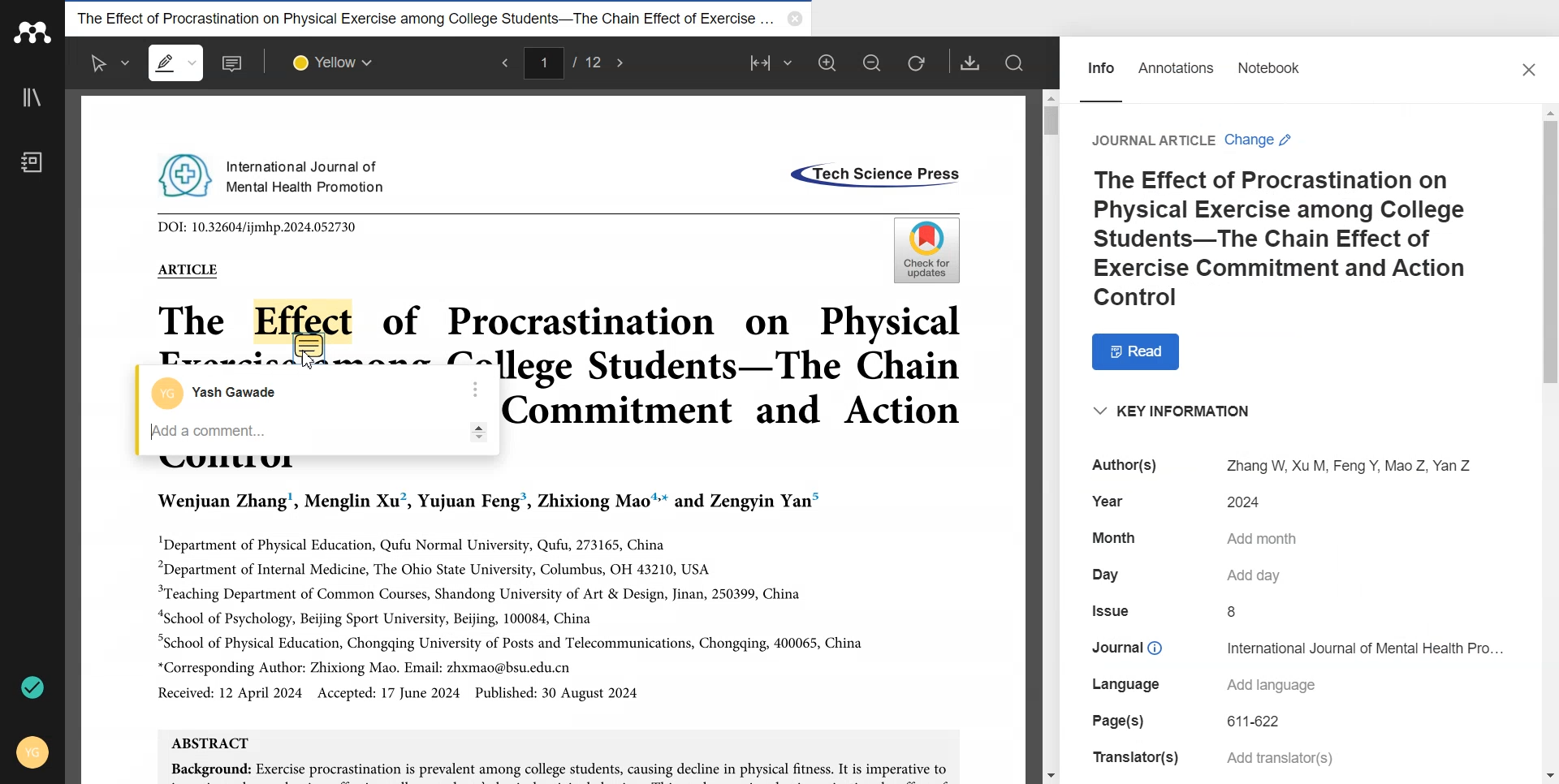 This screenshot has width=1559, height=784. What do you see at coordinates (1187, 501) in the screenshot?
I see `Year 2024` at bounding box center [1187, 501].